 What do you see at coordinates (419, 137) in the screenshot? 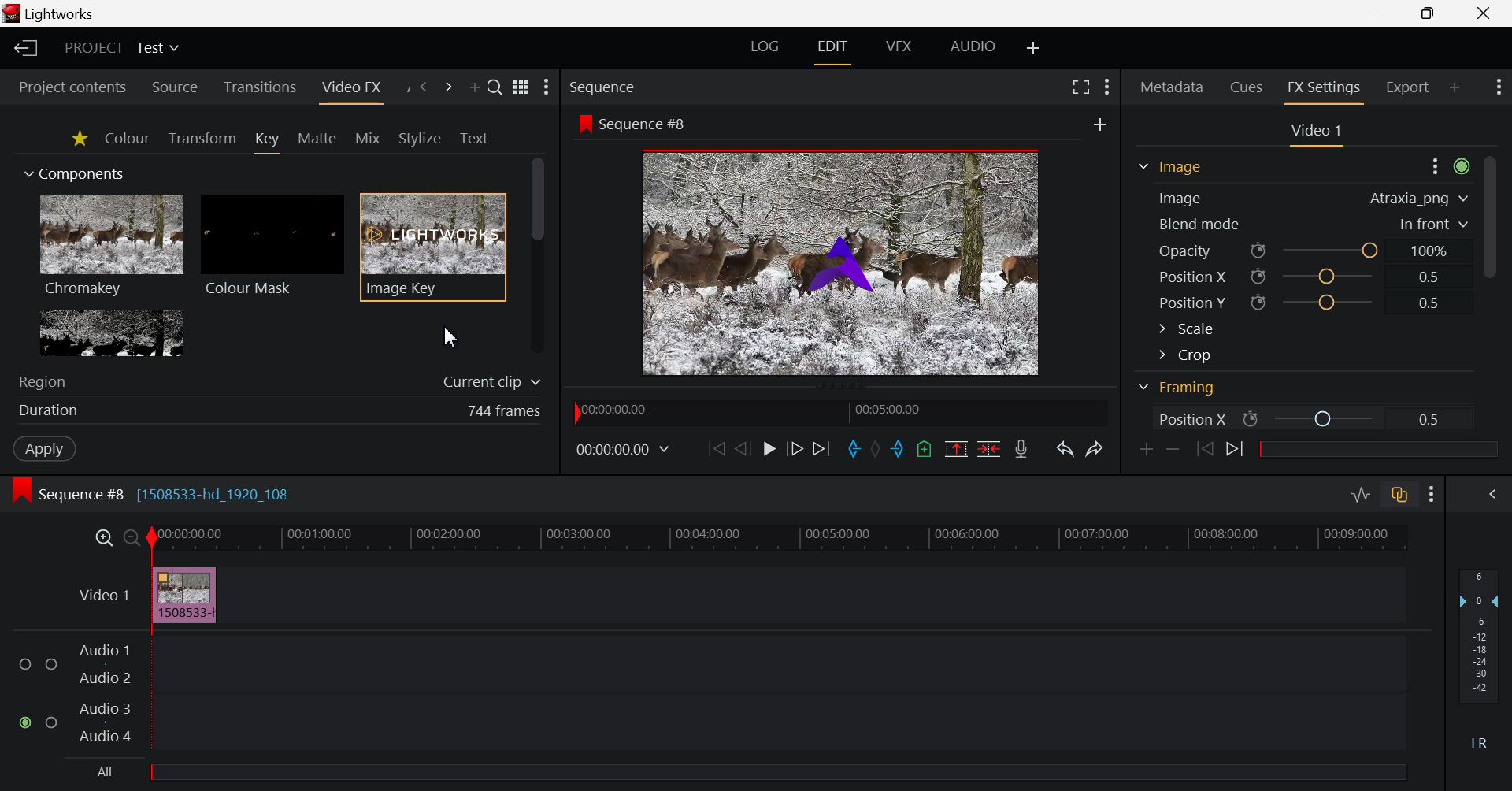
I see `Stylize` at bounding box center [419, 137].